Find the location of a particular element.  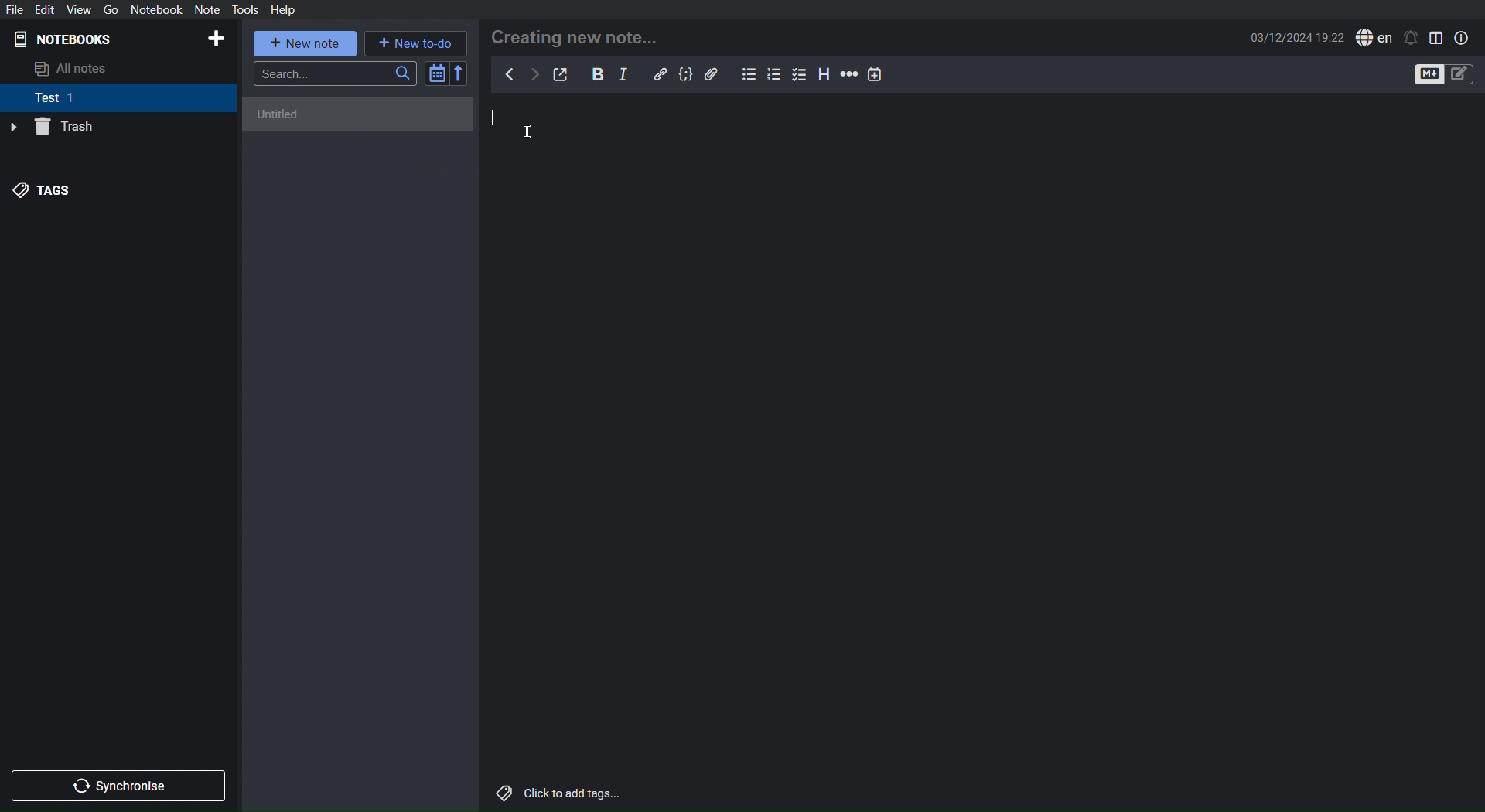

Sort is located at coordinates (446, 73).